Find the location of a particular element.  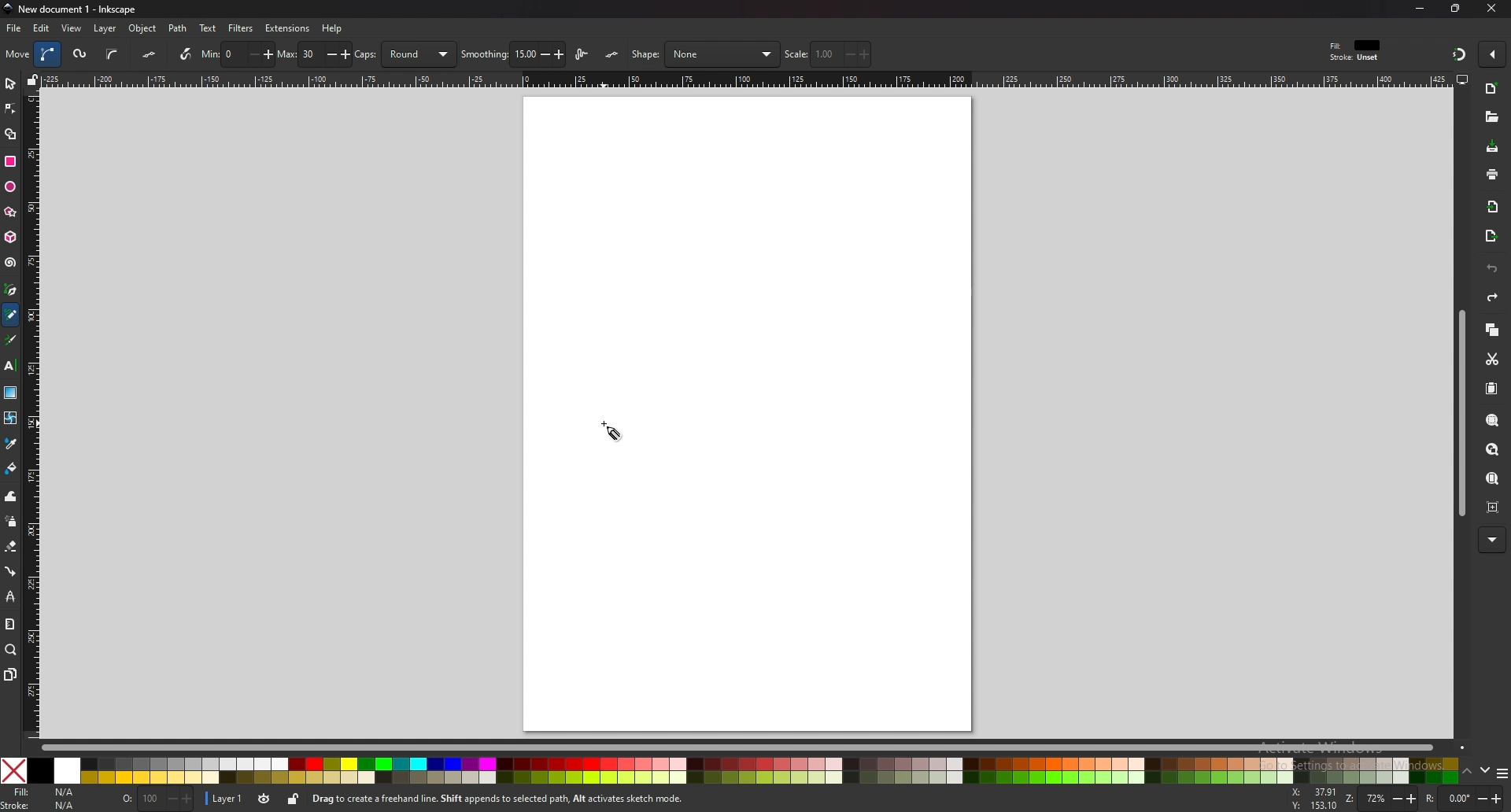

opacity is located at coordinates (157, 799).